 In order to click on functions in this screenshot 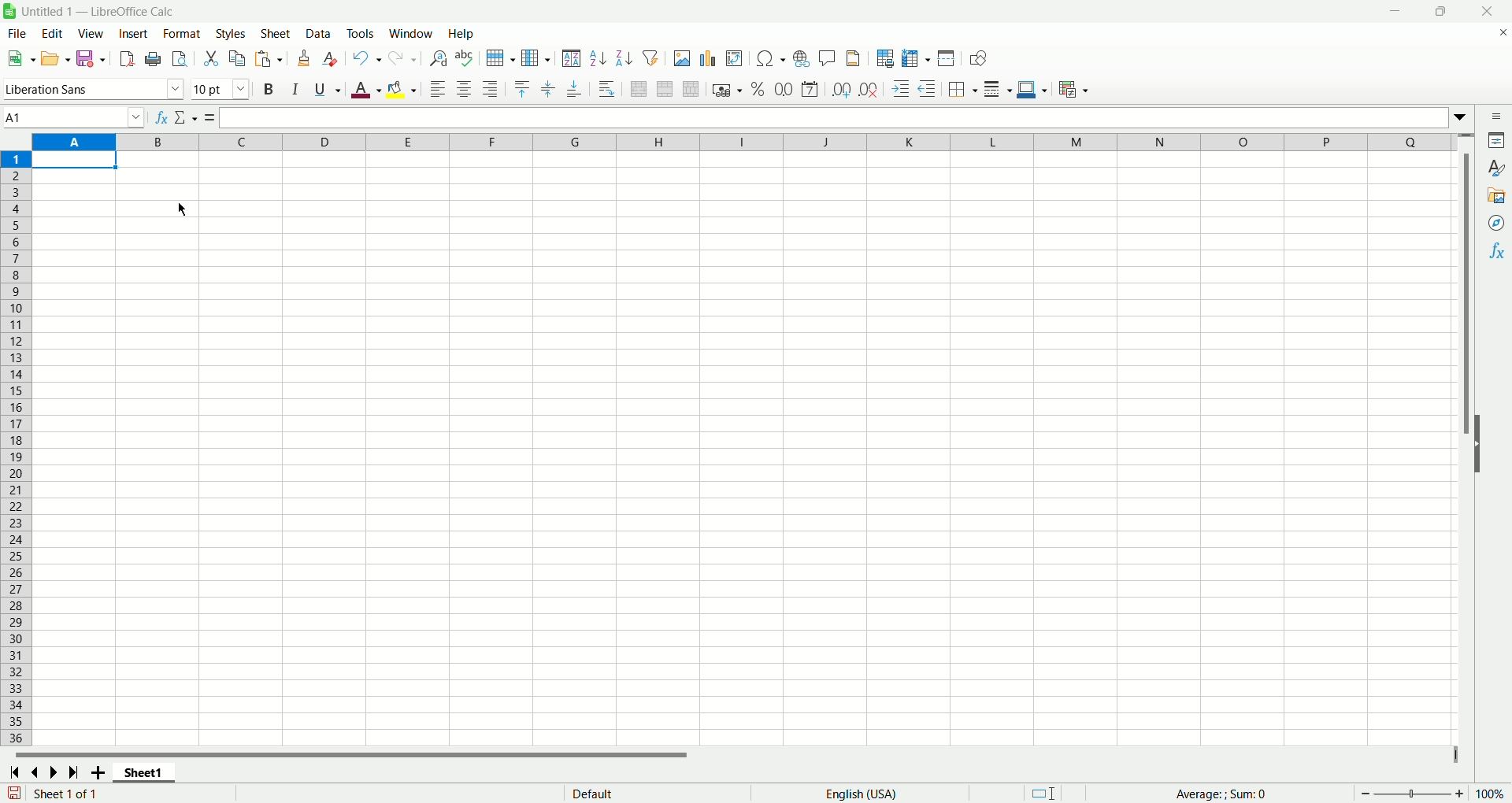, I will do `click(1499, 250)`.